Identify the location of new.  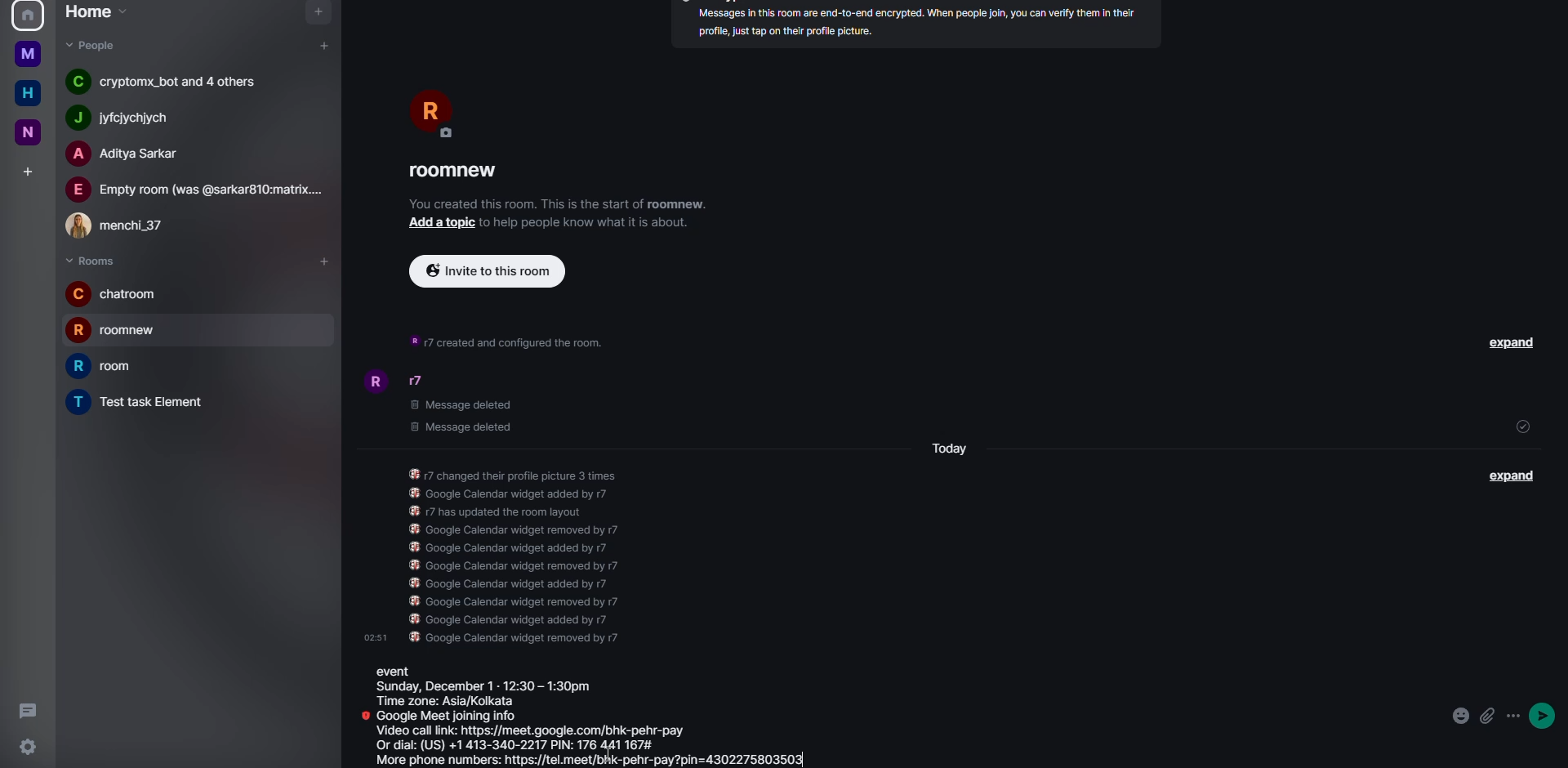
(26, 132).